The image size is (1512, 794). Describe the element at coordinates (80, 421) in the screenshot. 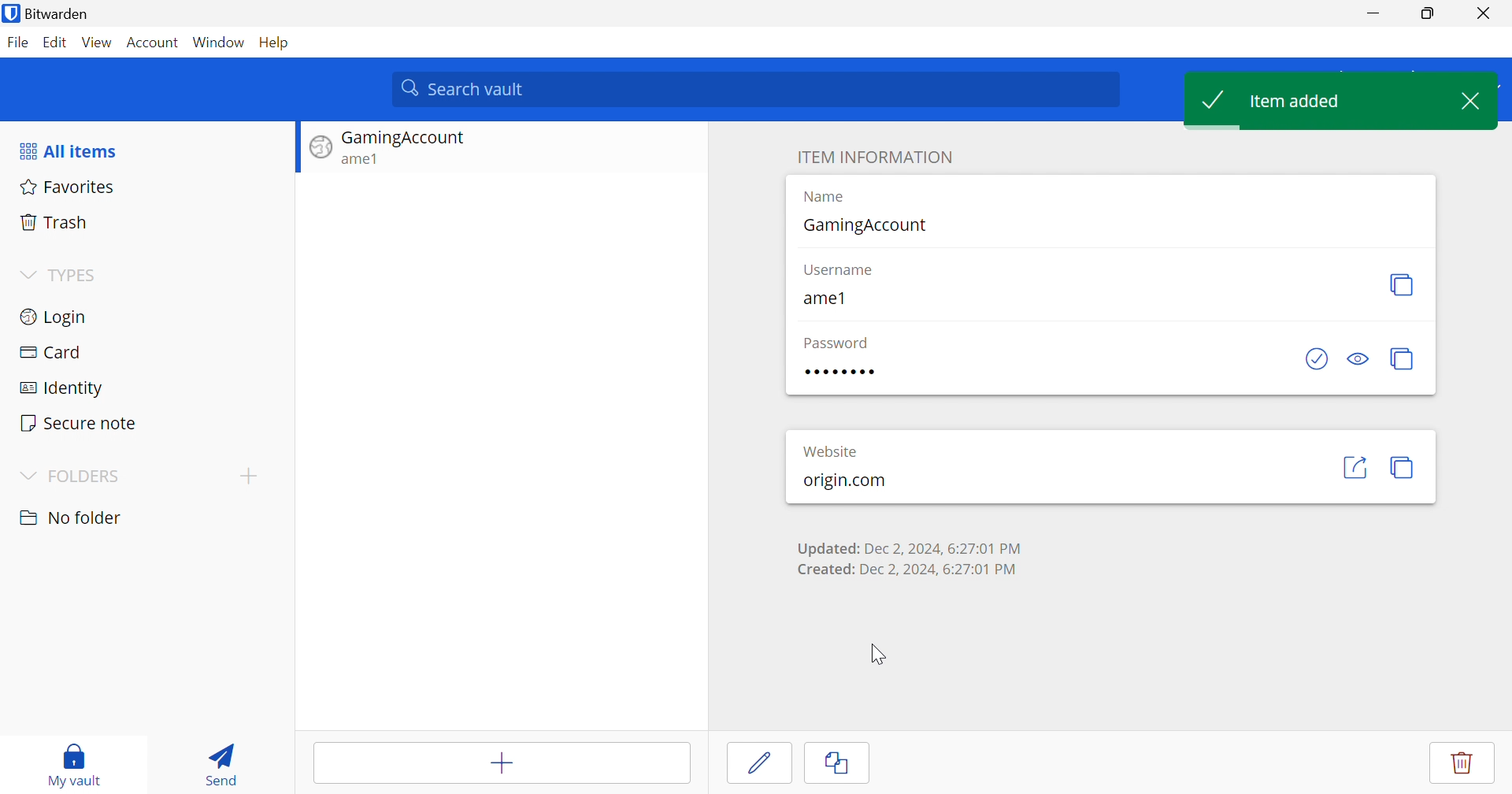

I see `Secure note` at that location.